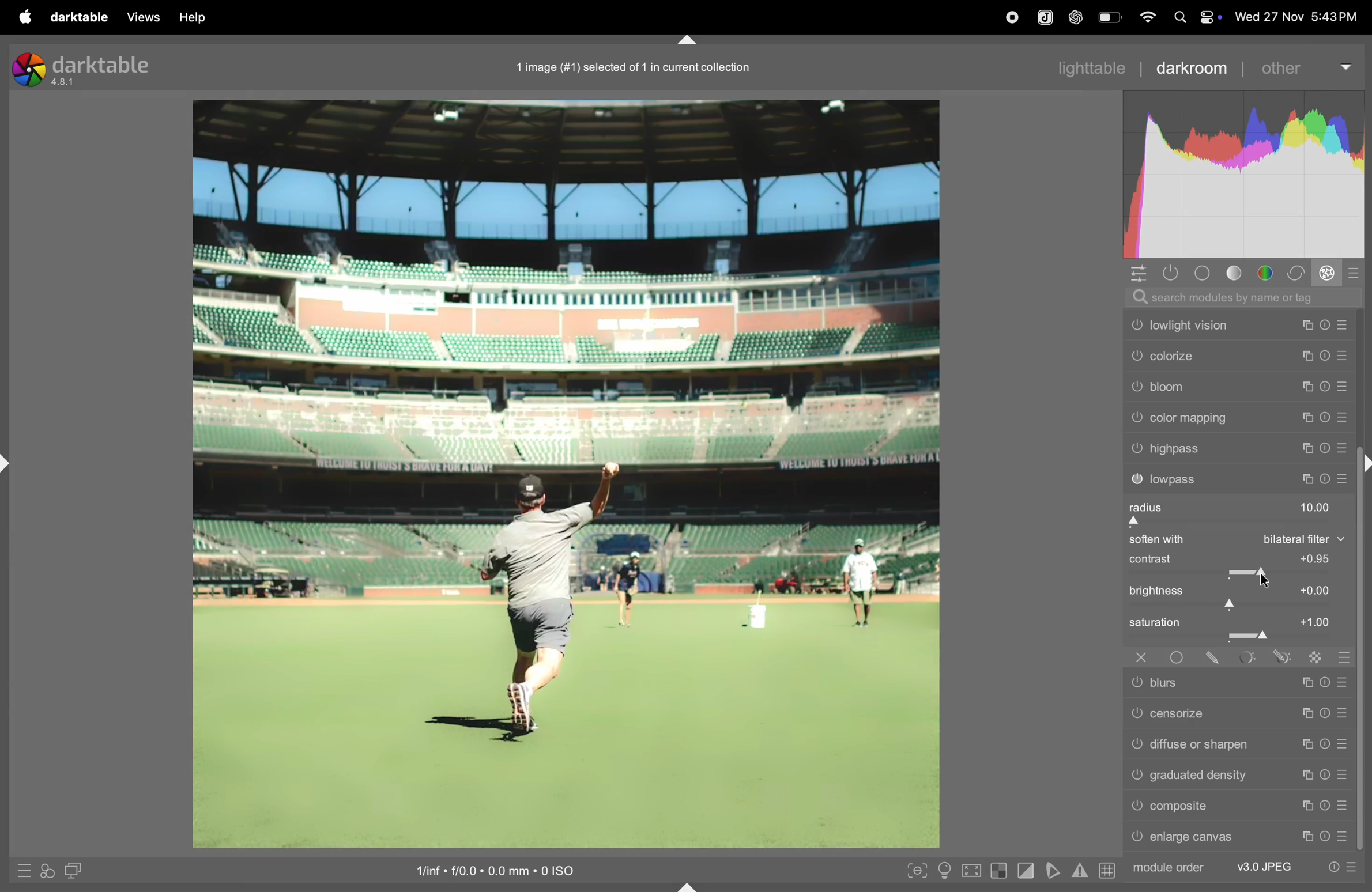 Image resolution: width=1372 pixels, height=892 pixels. What do you see at coordinates (1176, 17) in the screenshot?
I see `spotlight search` at bounding box center [1176, 17].